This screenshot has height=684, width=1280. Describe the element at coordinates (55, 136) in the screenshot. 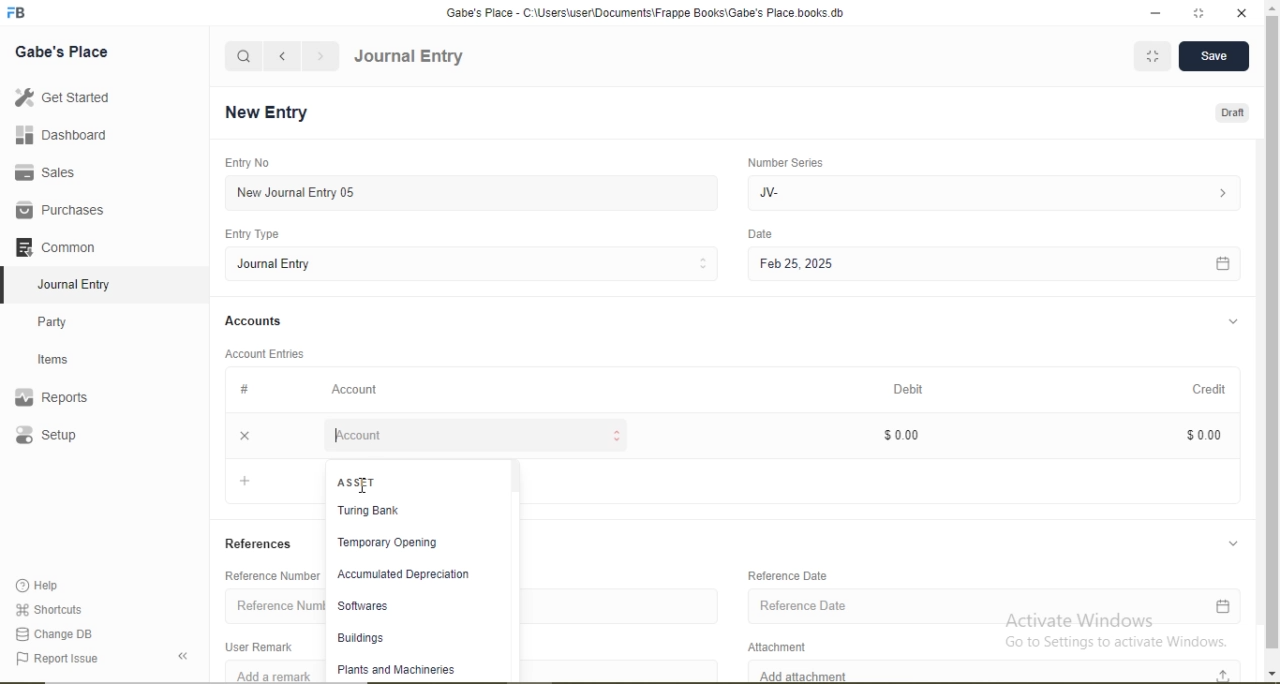

I see `Dashboard` at that location.